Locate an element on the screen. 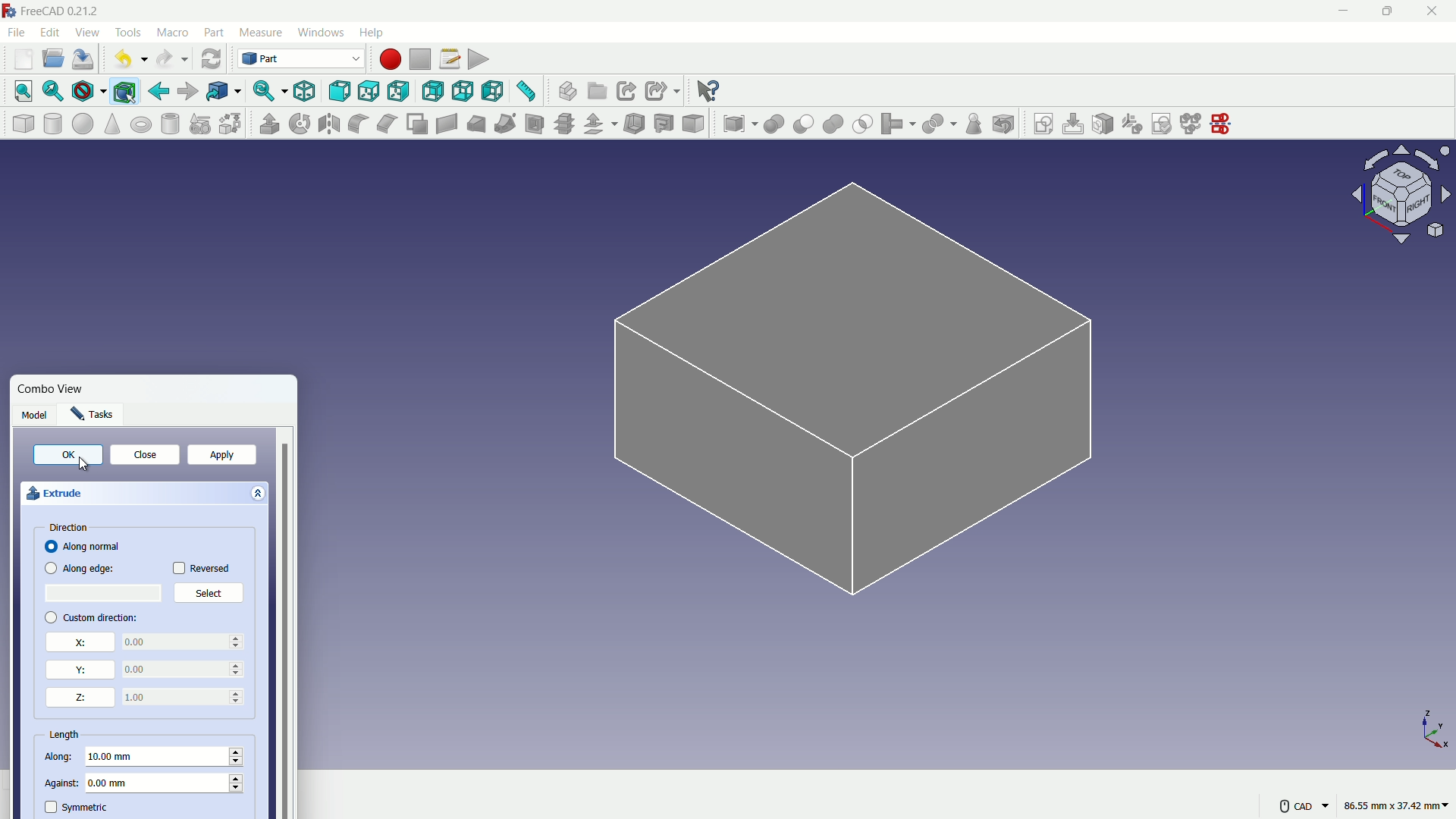 The width and height of the screenshot is (1456, 819). create group is located at coordinates (598, 92).